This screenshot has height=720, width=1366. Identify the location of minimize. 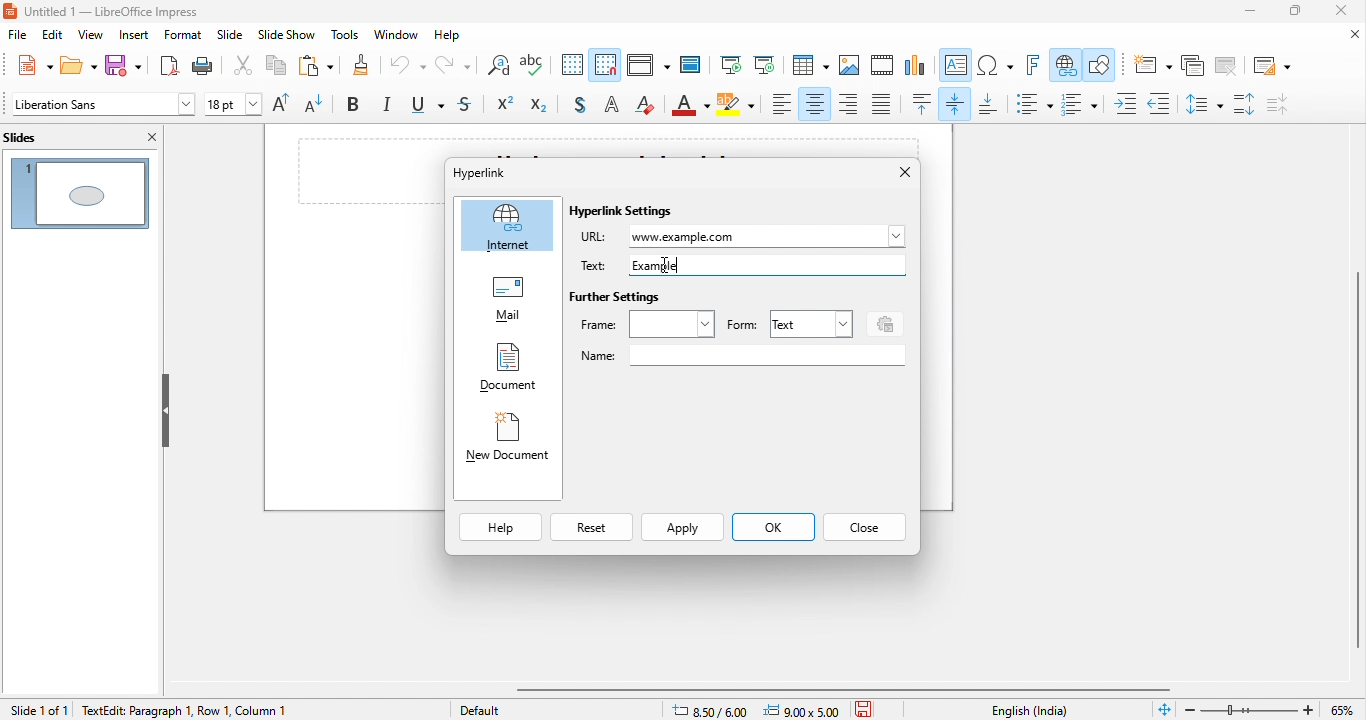
(1239, 14).